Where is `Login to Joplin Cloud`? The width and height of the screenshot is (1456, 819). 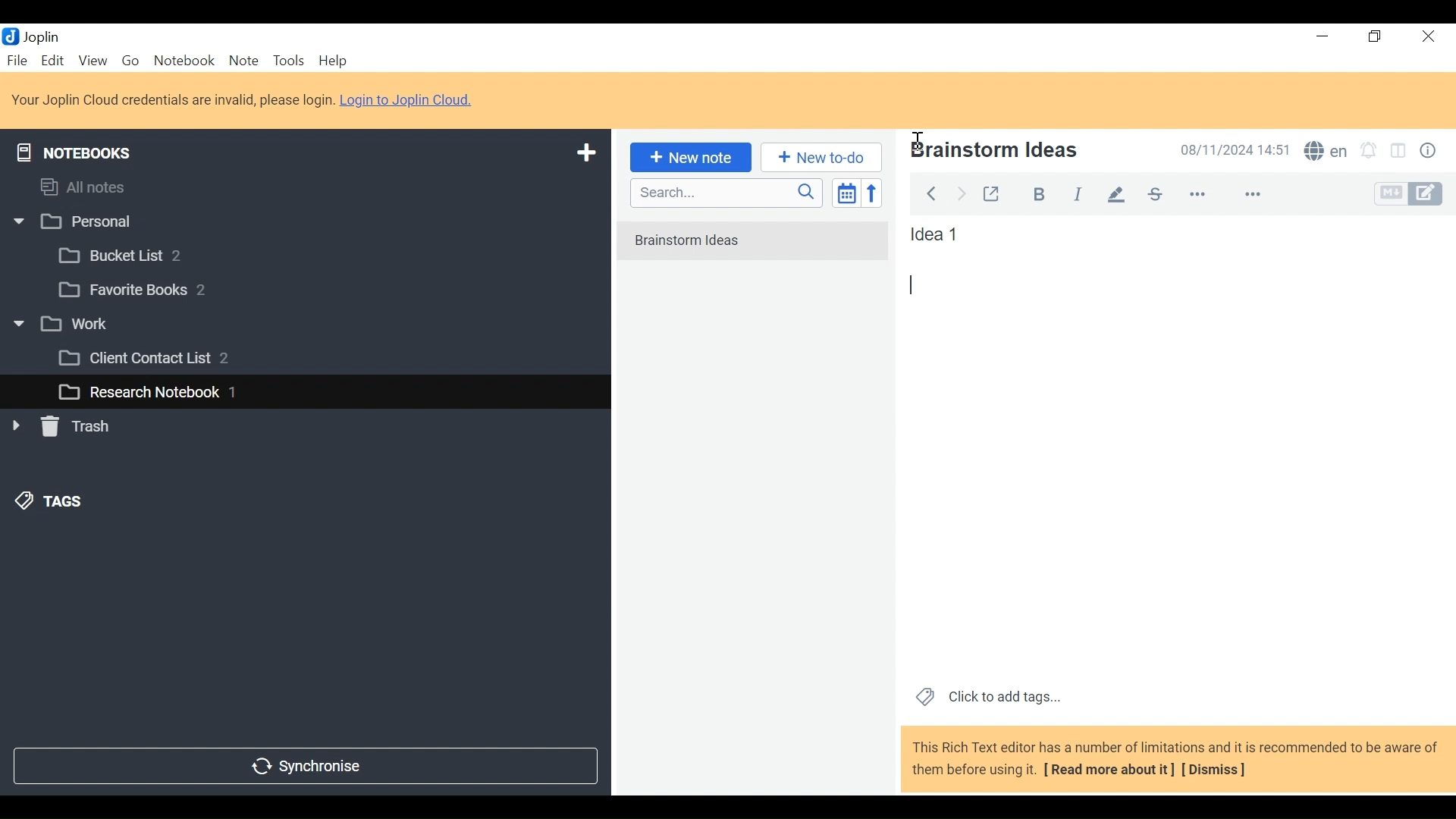
Login to Joplin Cloud is located at coordinates (411, 100).